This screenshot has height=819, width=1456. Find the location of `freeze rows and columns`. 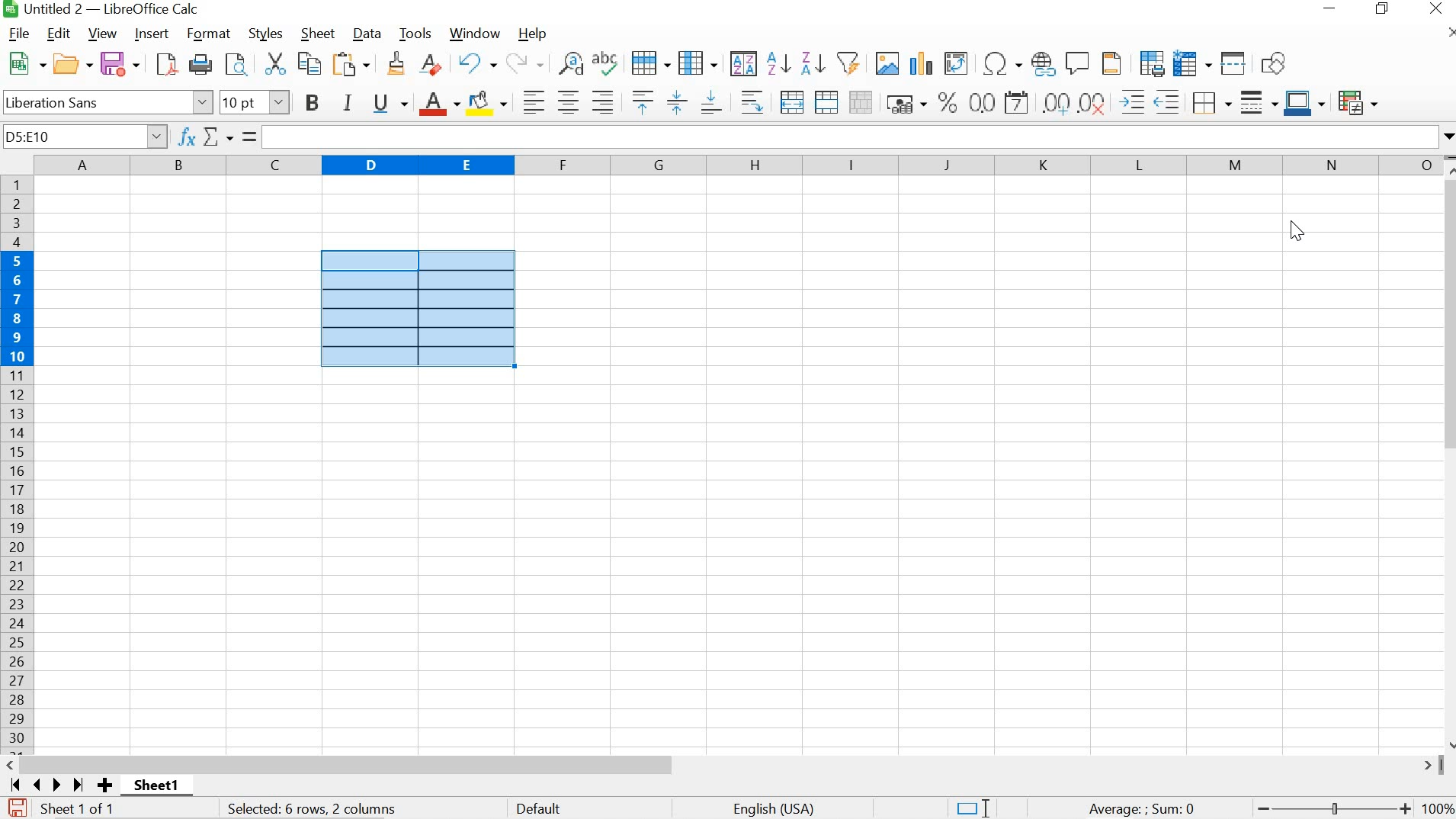

freeze rows and columns is located at coordinates (1194, 63).